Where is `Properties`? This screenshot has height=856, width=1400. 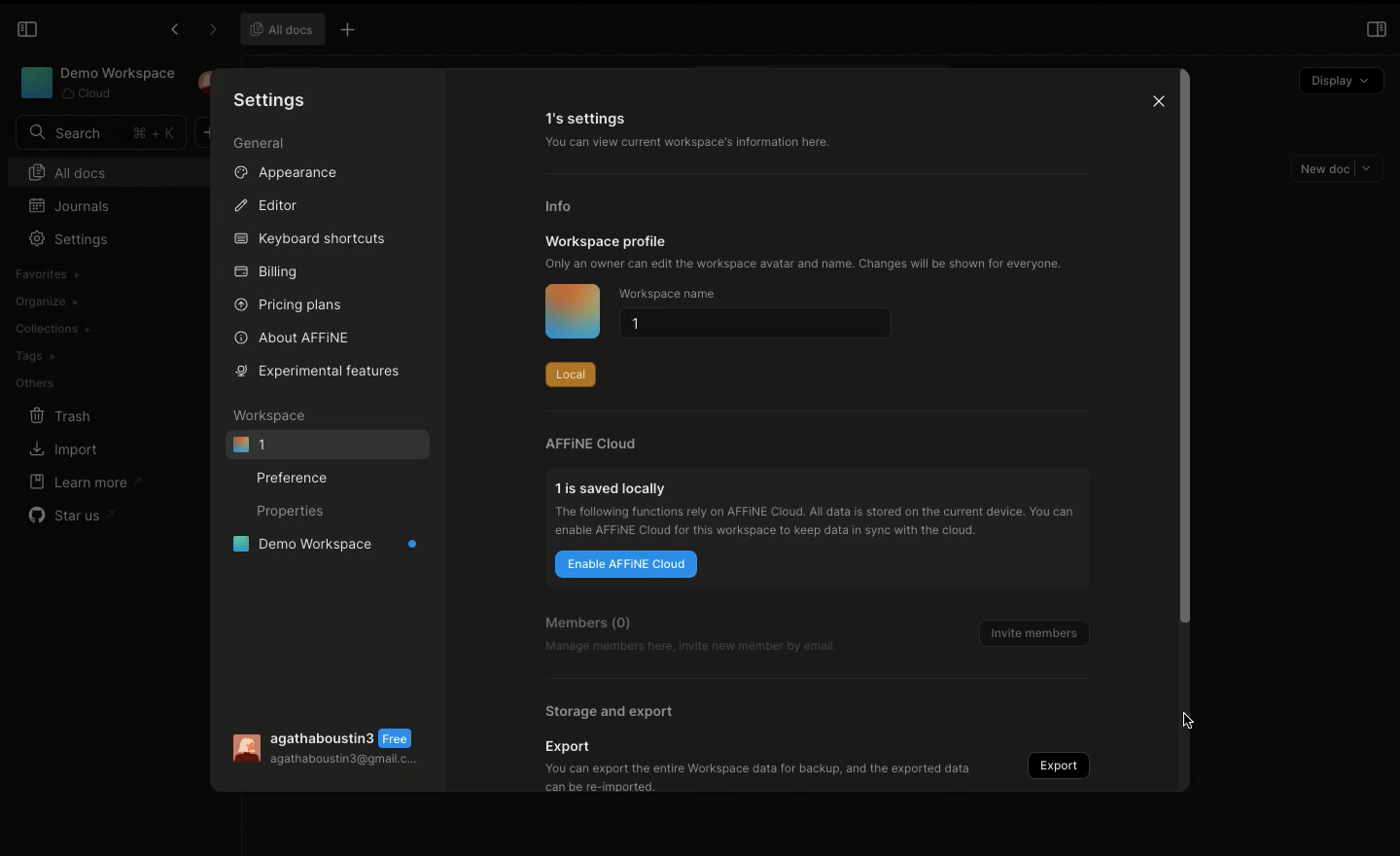 Properties is located at coordinates (289, 513).